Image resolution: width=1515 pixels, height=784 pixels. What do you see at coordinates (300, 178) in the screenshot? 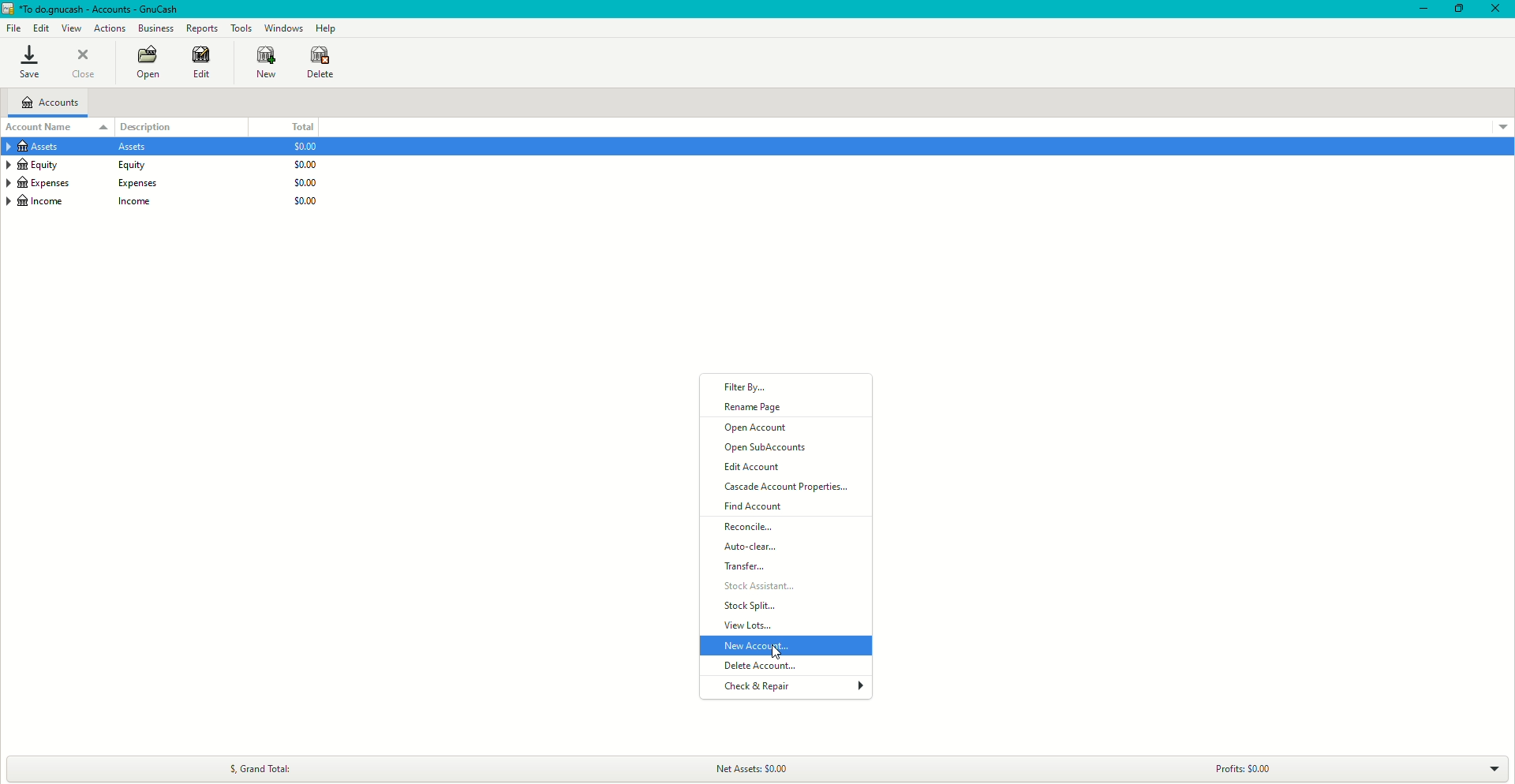
I see `$0` at bounding box center [300, 178].